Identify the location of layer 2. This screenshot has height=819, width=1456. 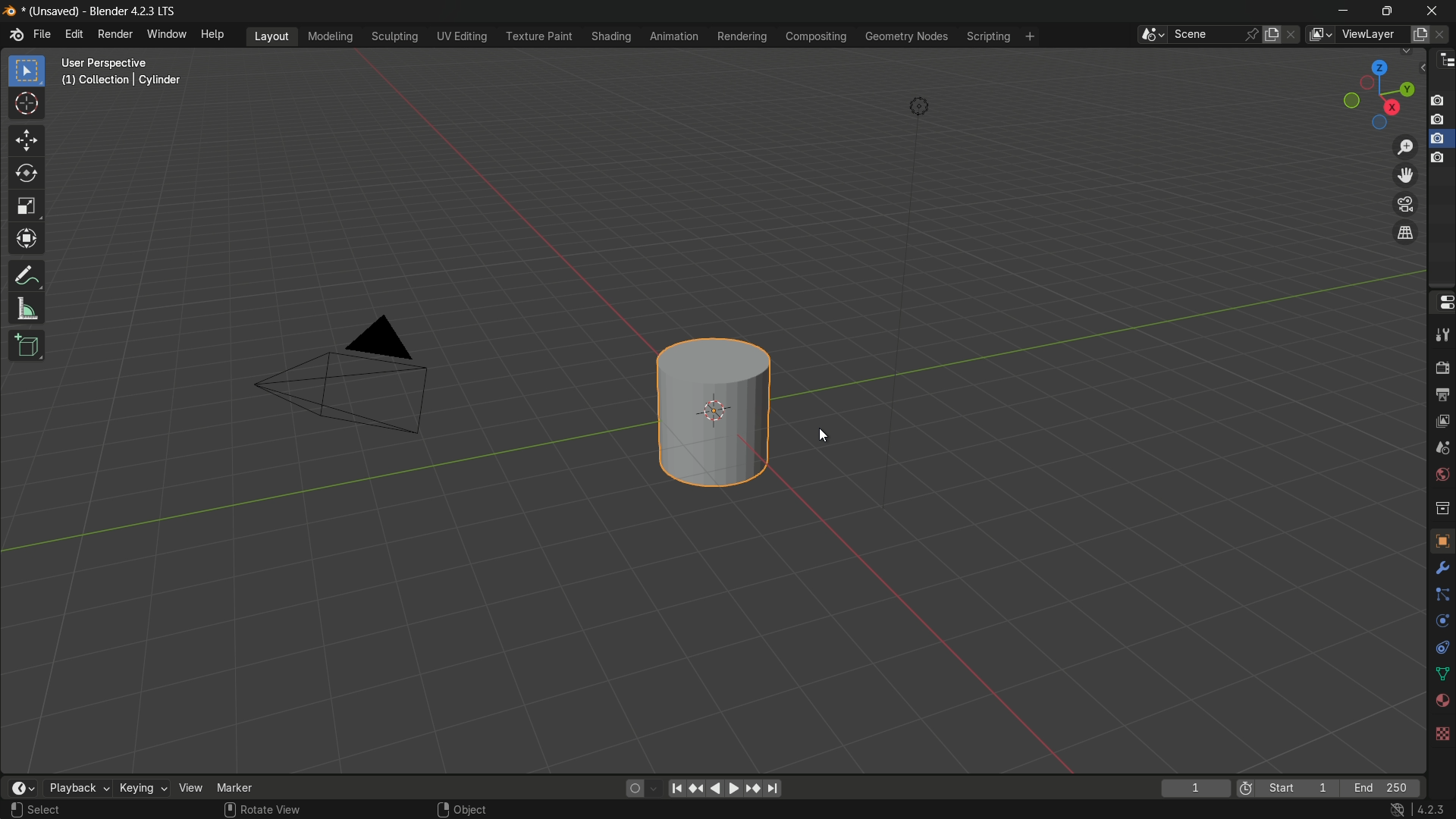
(1440, 119).